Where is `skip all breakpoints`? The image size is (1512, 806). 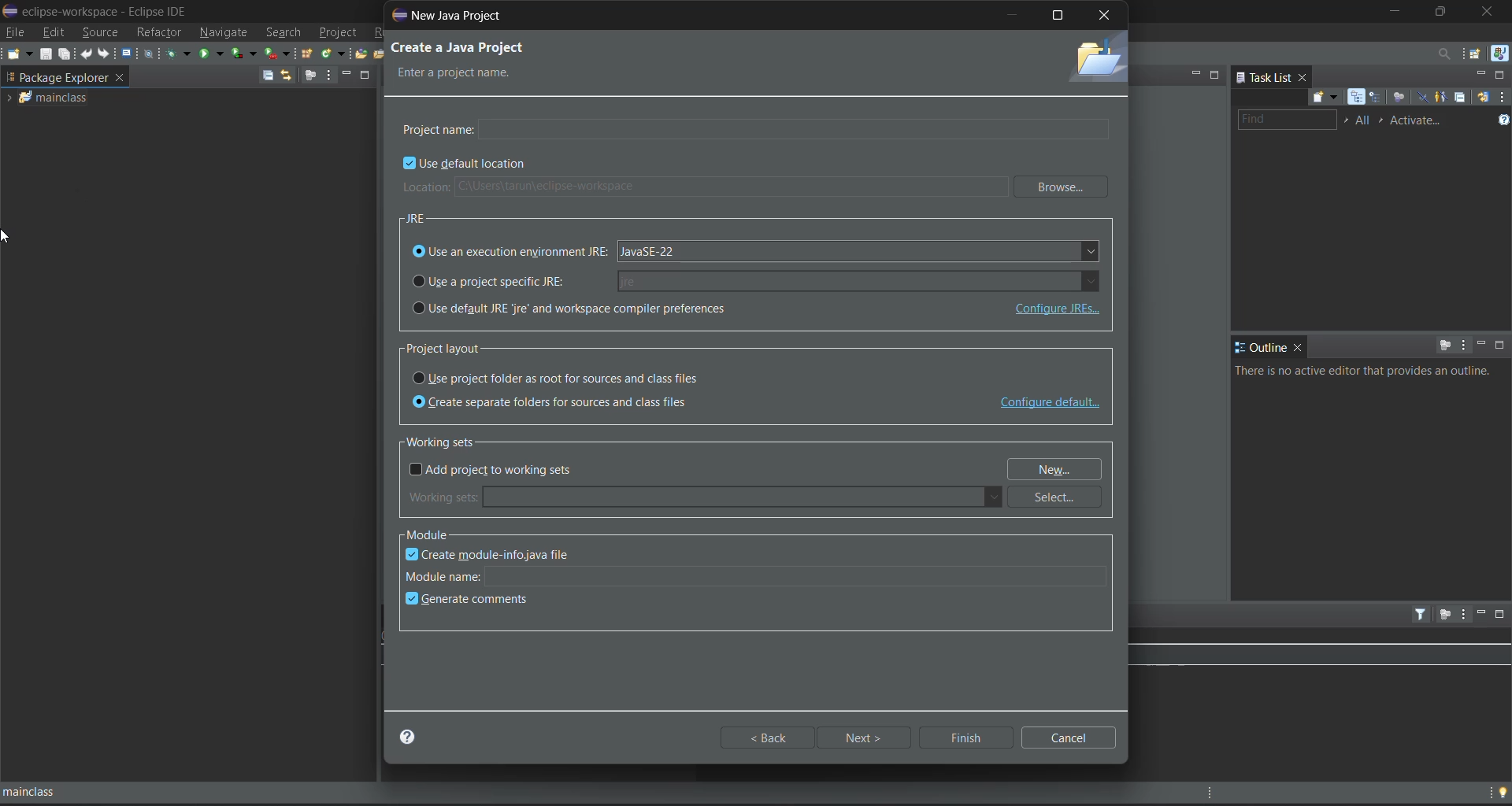
skip all breakpoints is located at coordinates (150, 55).